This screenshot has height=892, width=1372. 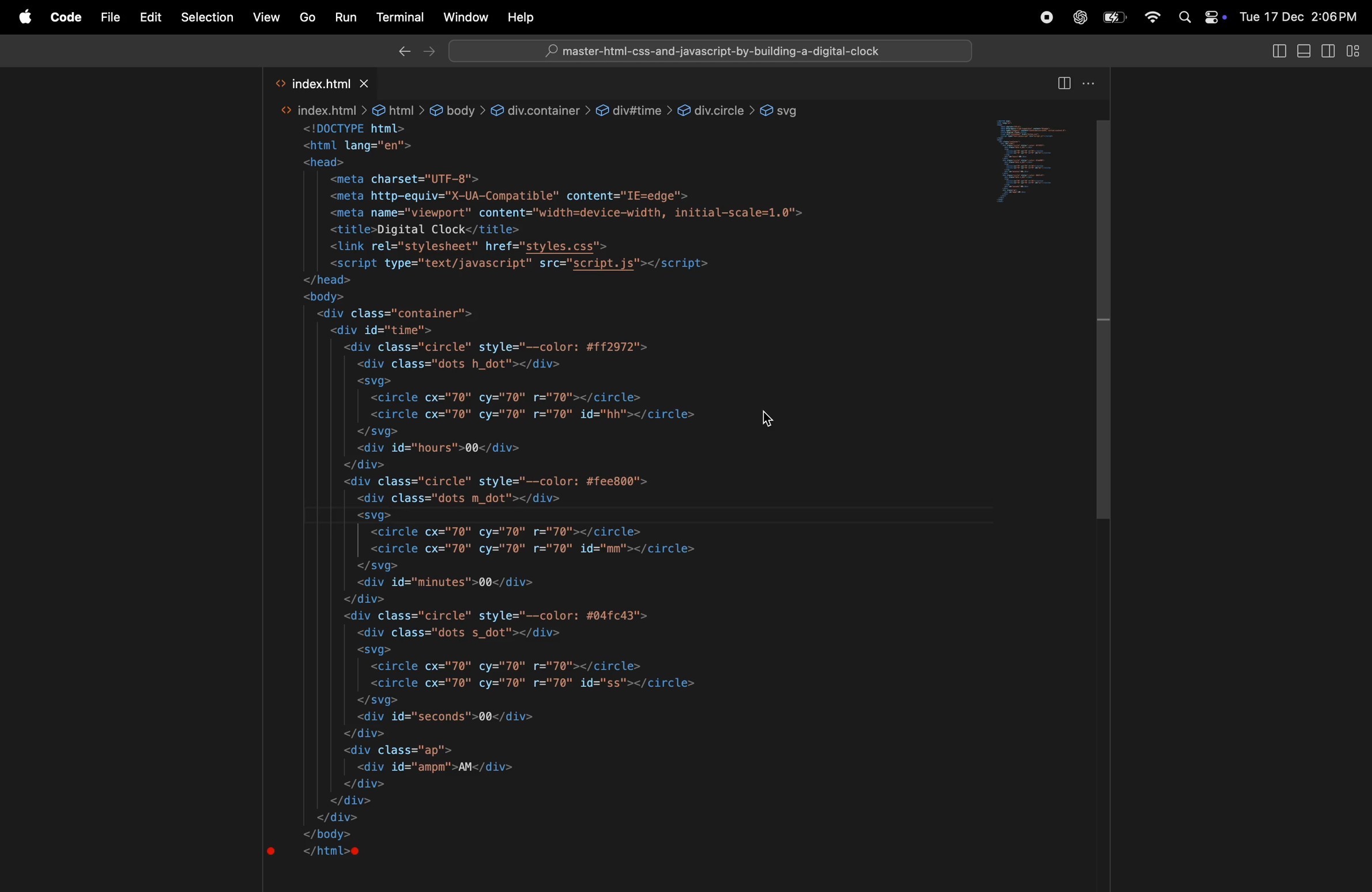 I want to click on cursor, so click(x=768, y=418).